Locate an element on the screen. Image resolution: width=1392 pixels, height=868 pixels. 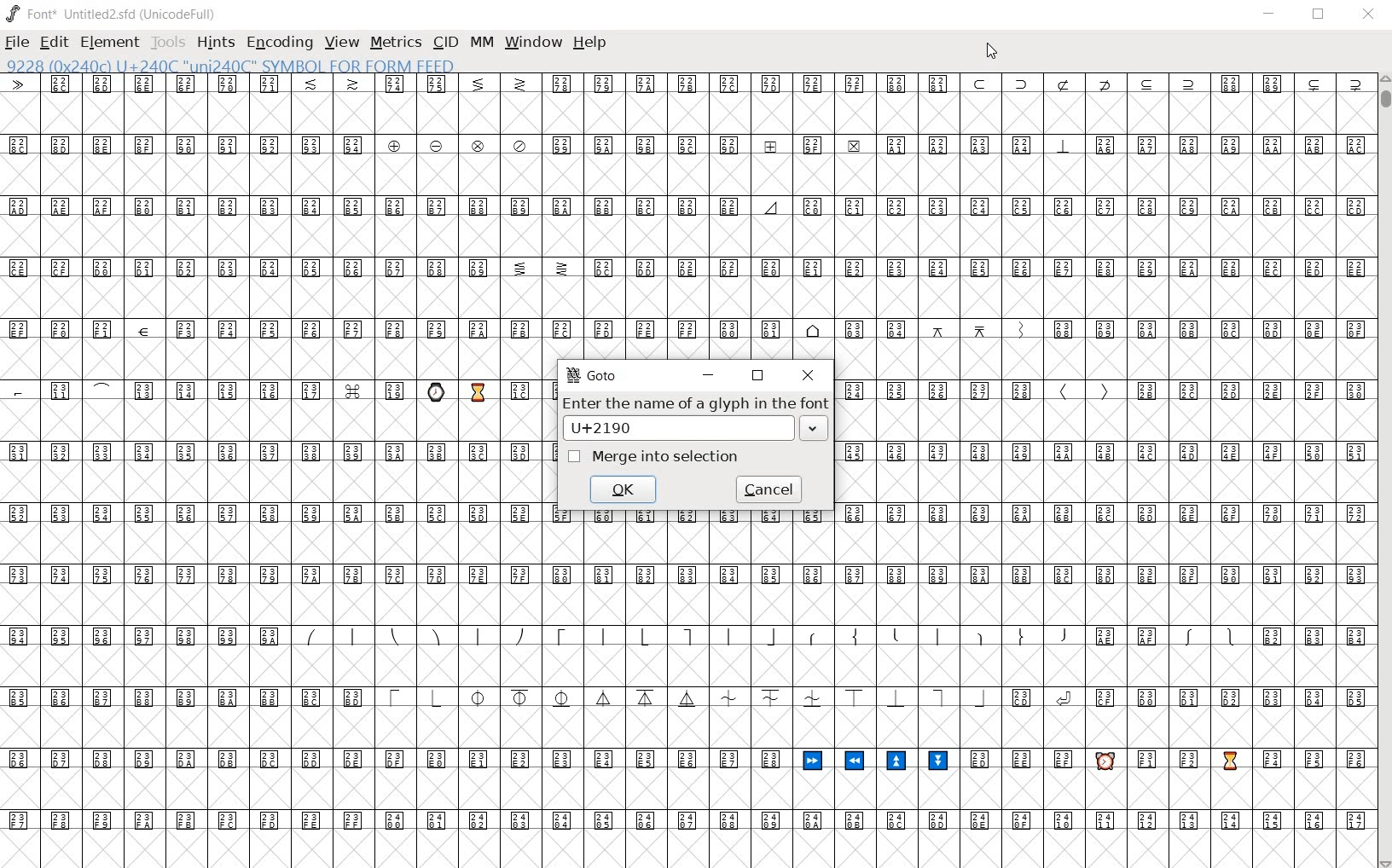
hints is located at coordinates (215, 43).